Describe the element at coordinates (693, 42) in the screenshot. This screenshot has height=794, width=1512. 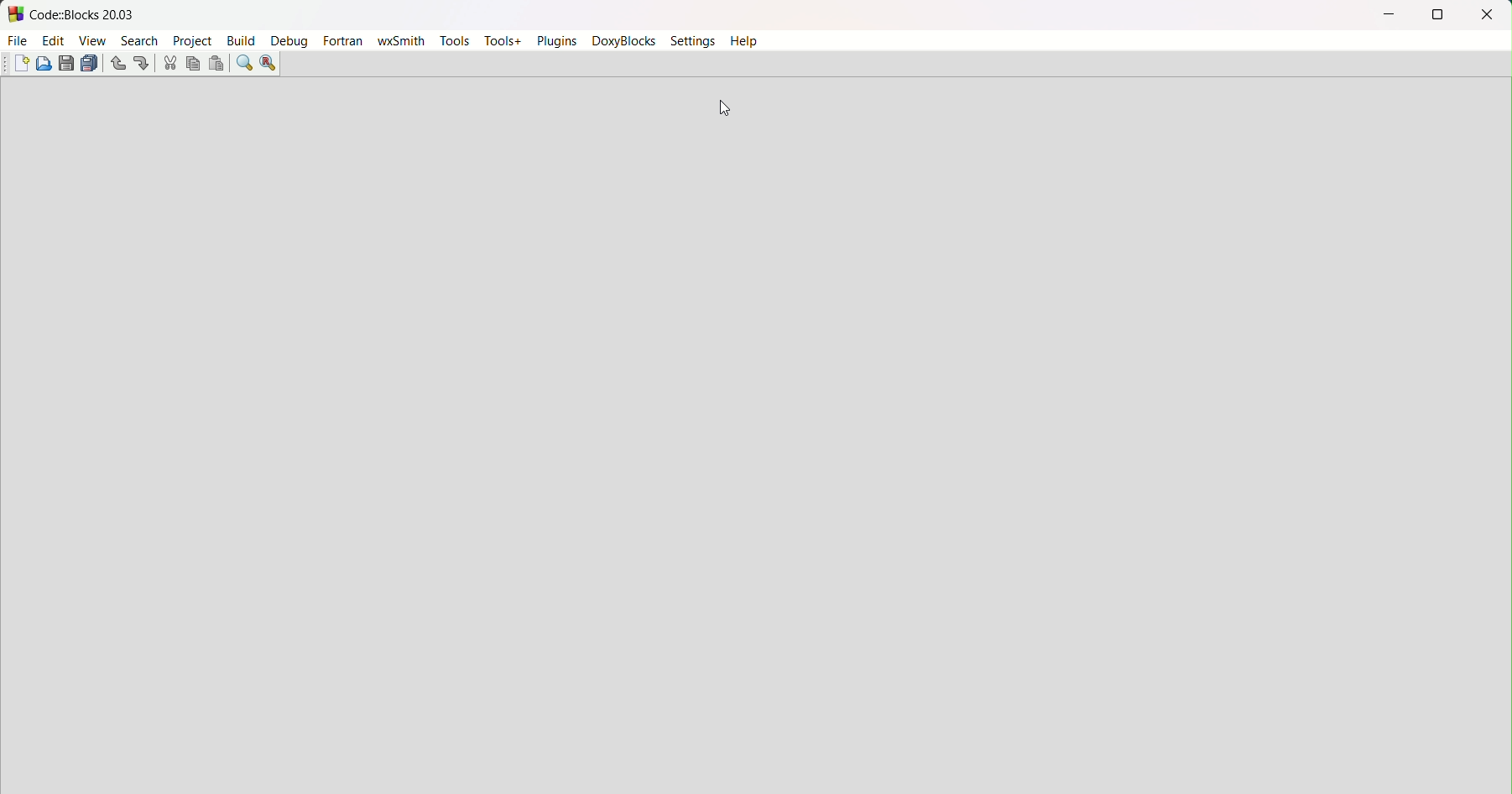
I see `settings` at that location.